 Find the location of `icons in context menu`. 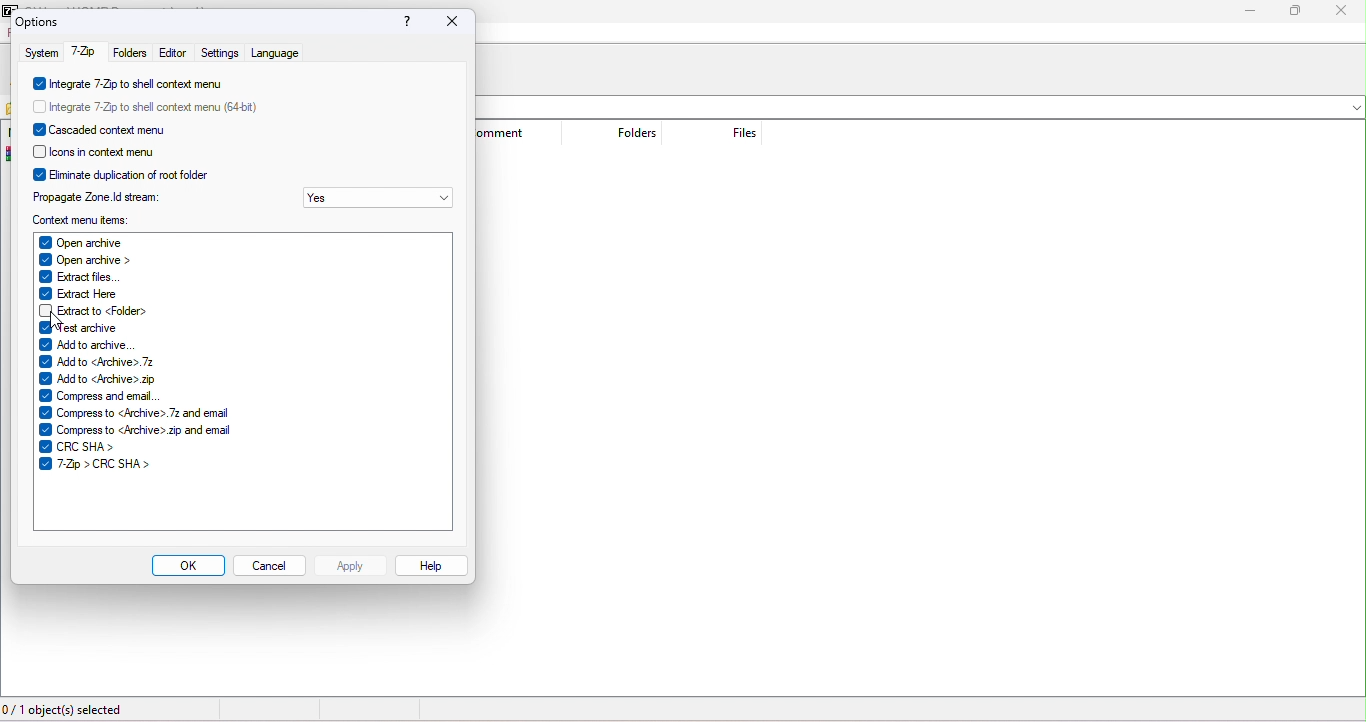

icons in context menu is located at coordinates (111, 150).